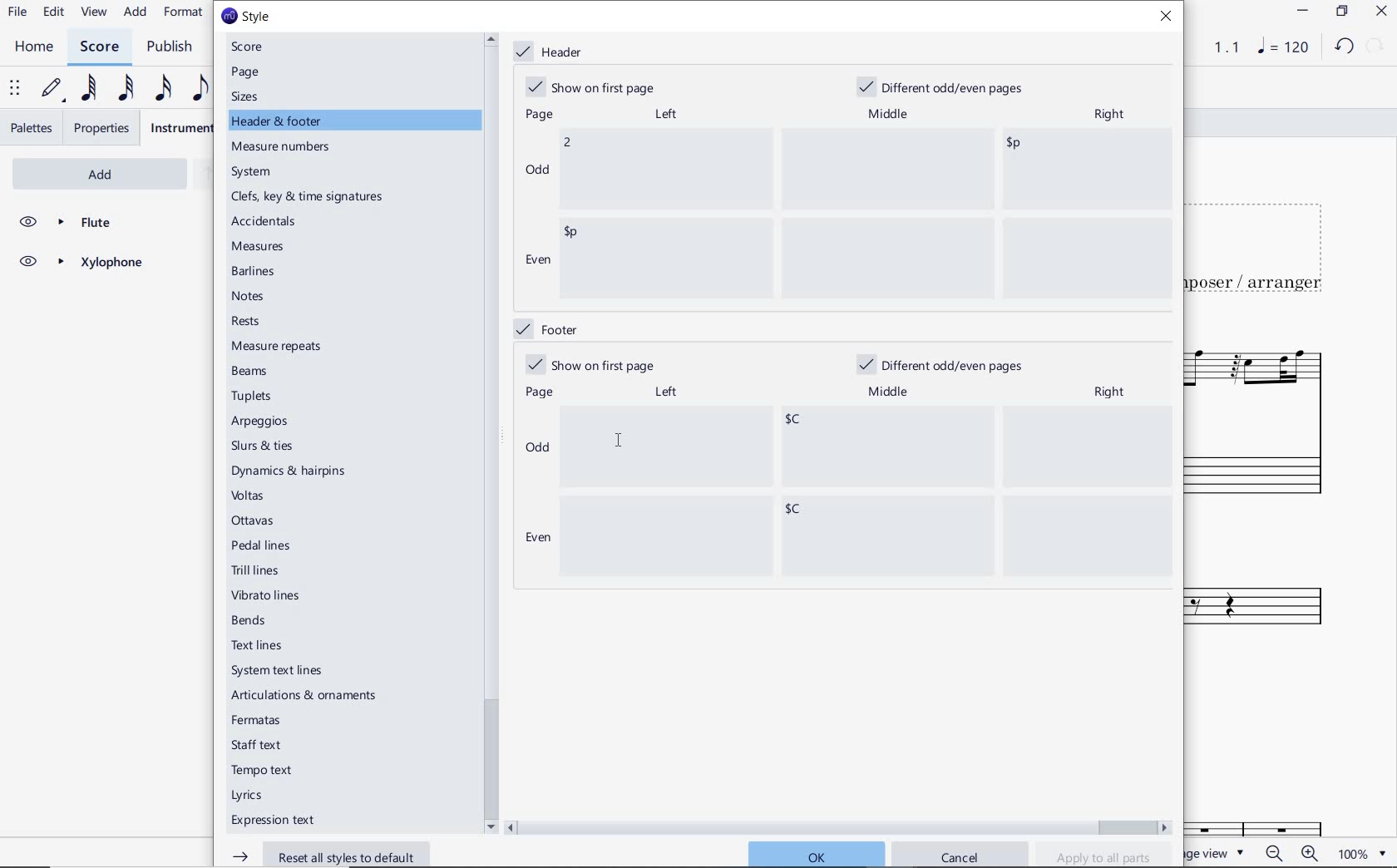 The height and width of the screenshot is (868, 1397). What do you see at coordinates (86, 89) in the screenshot?
I see `64TH NOTE` at bounding box center [86, 89].